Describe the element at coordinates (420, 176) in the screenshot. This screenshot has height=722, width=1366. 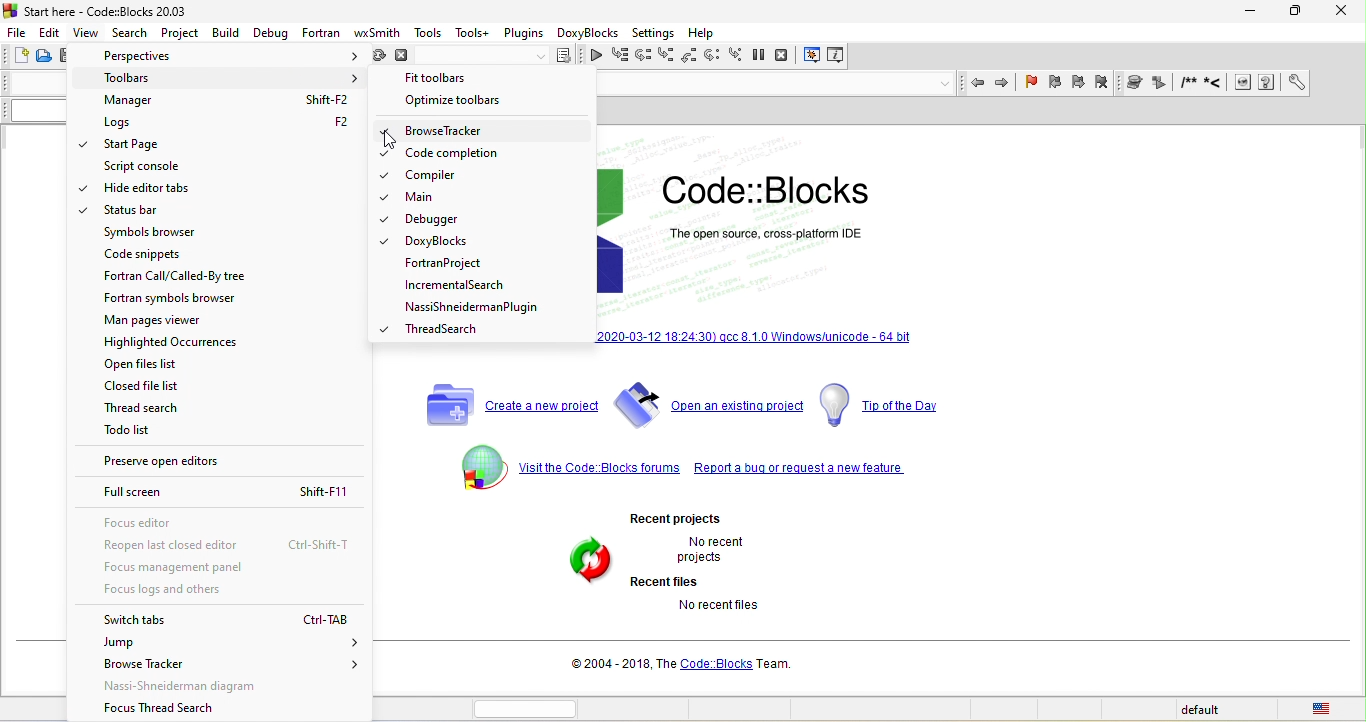
I see `compiler` at that location.